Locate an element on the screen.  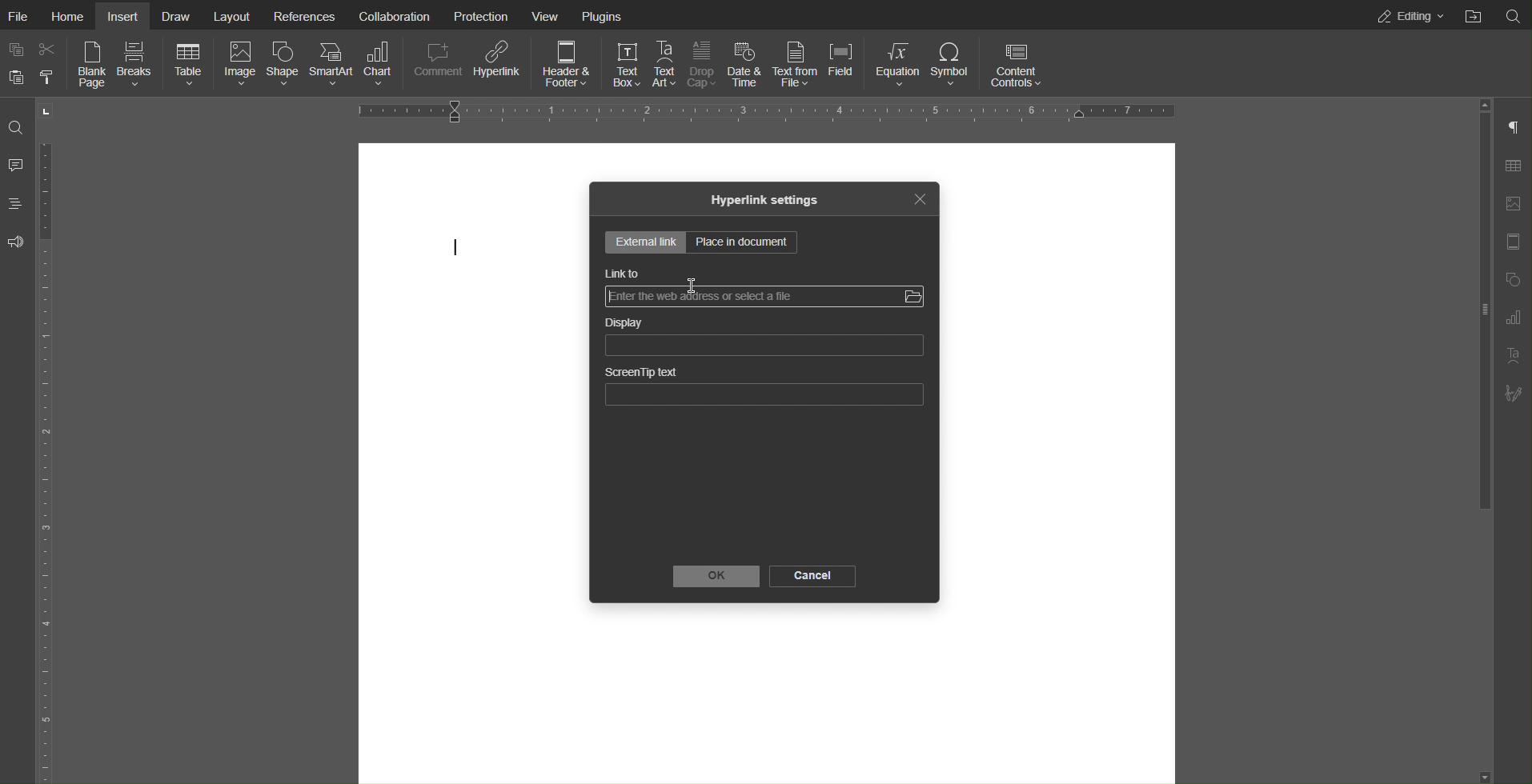
Protection is located at coordinates (478, 14).